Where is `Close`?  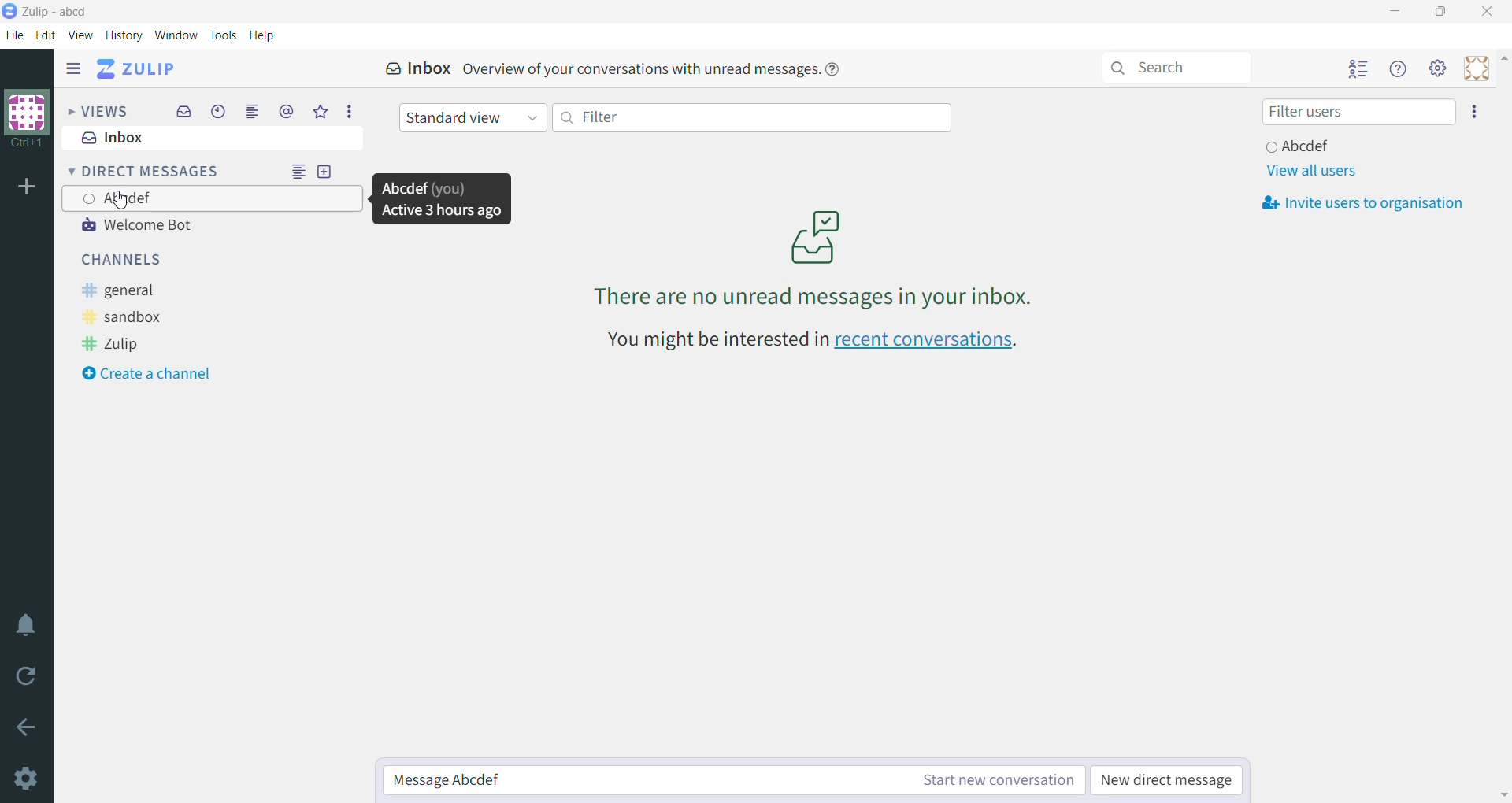
Close is located at coordinates (1488, 12).